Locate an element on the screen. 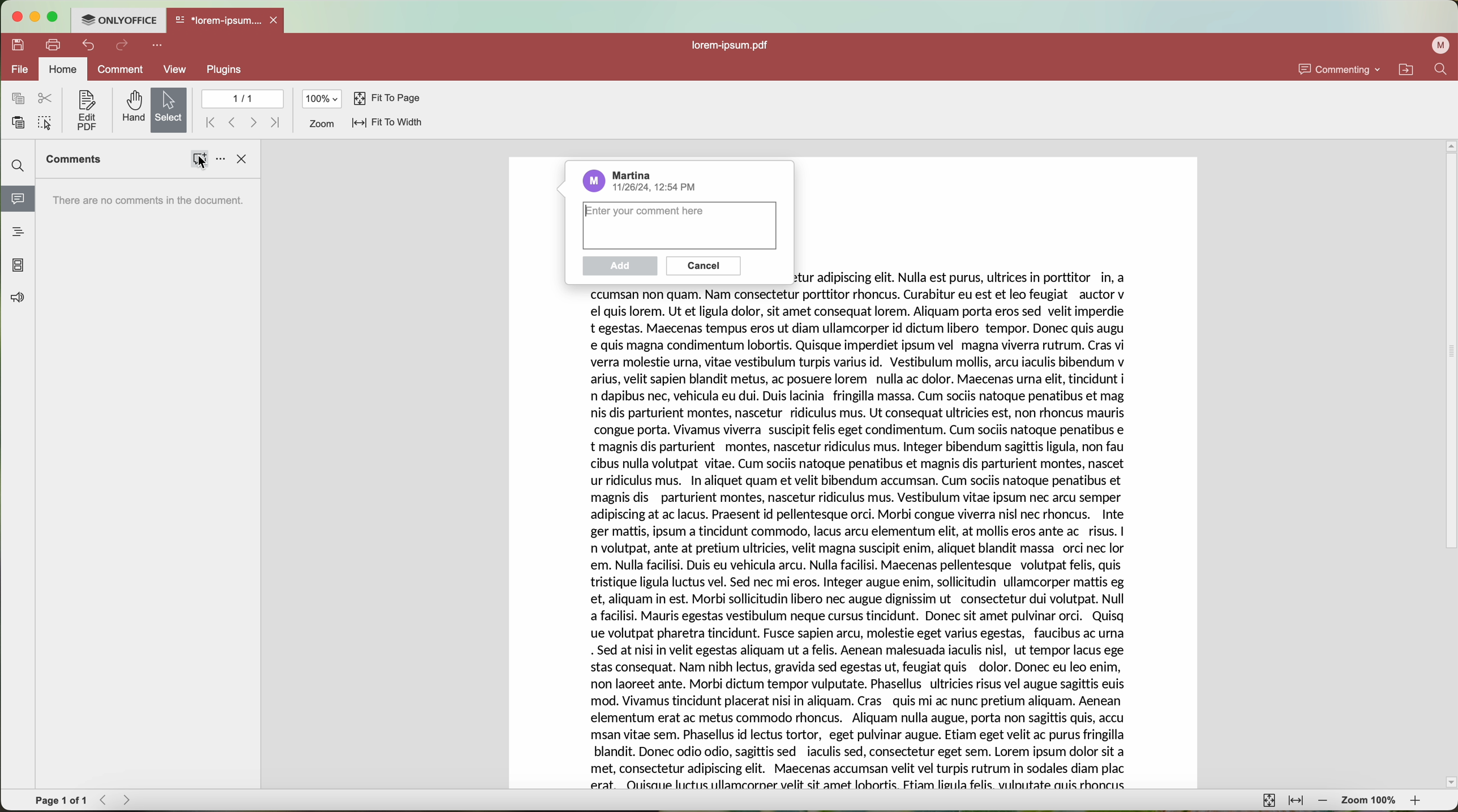 The height and width of the screenshot is (812, 1458). cursor is located at coordinates (204, 164).